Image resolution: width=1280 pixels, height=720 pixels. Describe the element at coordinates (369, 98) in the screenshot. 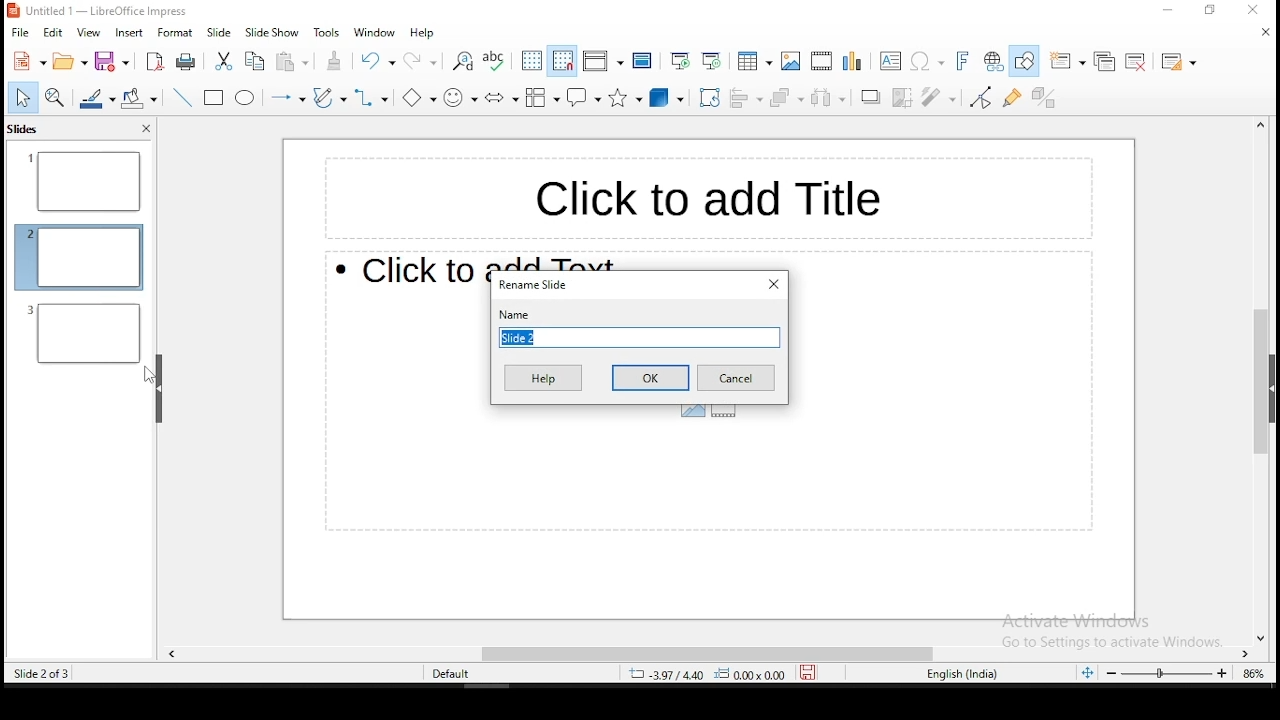

I see `connectors` at that location.